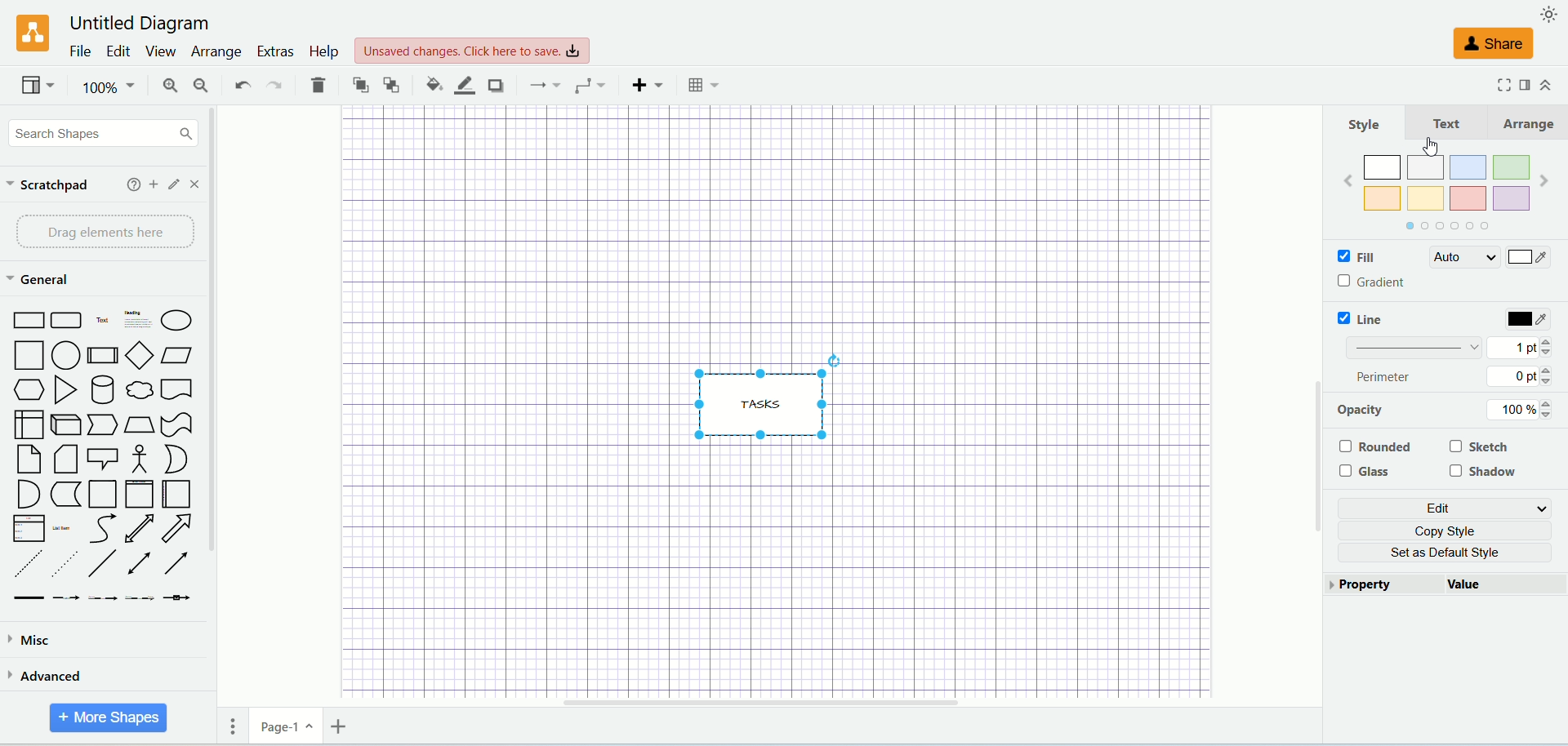 This screenshot has width=1568, height=746. What do you see at coordinates (28, 424) in the screenshot?
I see `Internal Storage` at bounding box center [28, 424].